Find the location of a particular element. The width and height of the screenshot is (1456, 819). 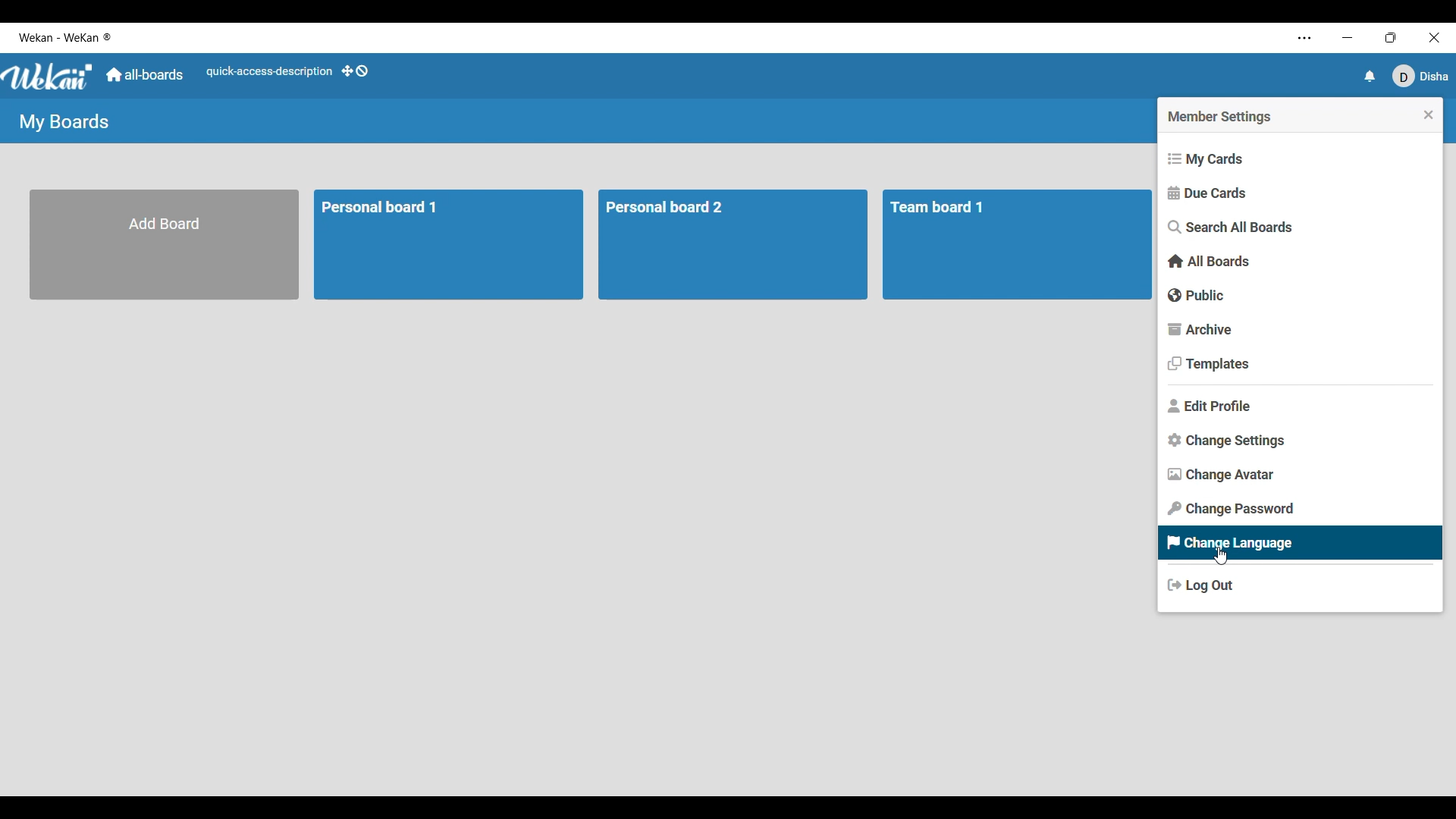

Notifications is located at coordinates (1367, 77).